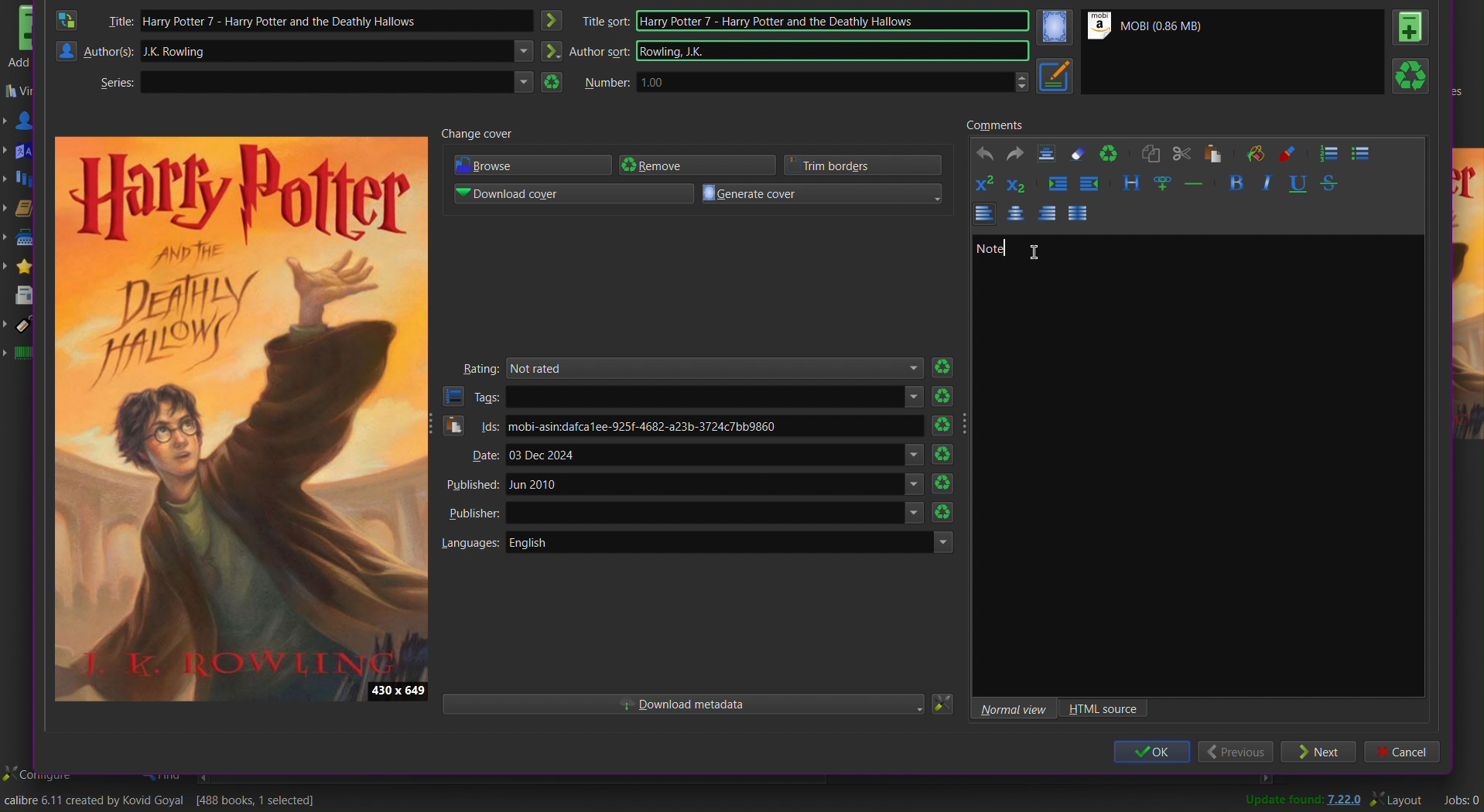 The height and width of the screenshot is (812, 1484). Describe the element at coordinates (834, 82) in the screenshot. I see `1.00` at that location.